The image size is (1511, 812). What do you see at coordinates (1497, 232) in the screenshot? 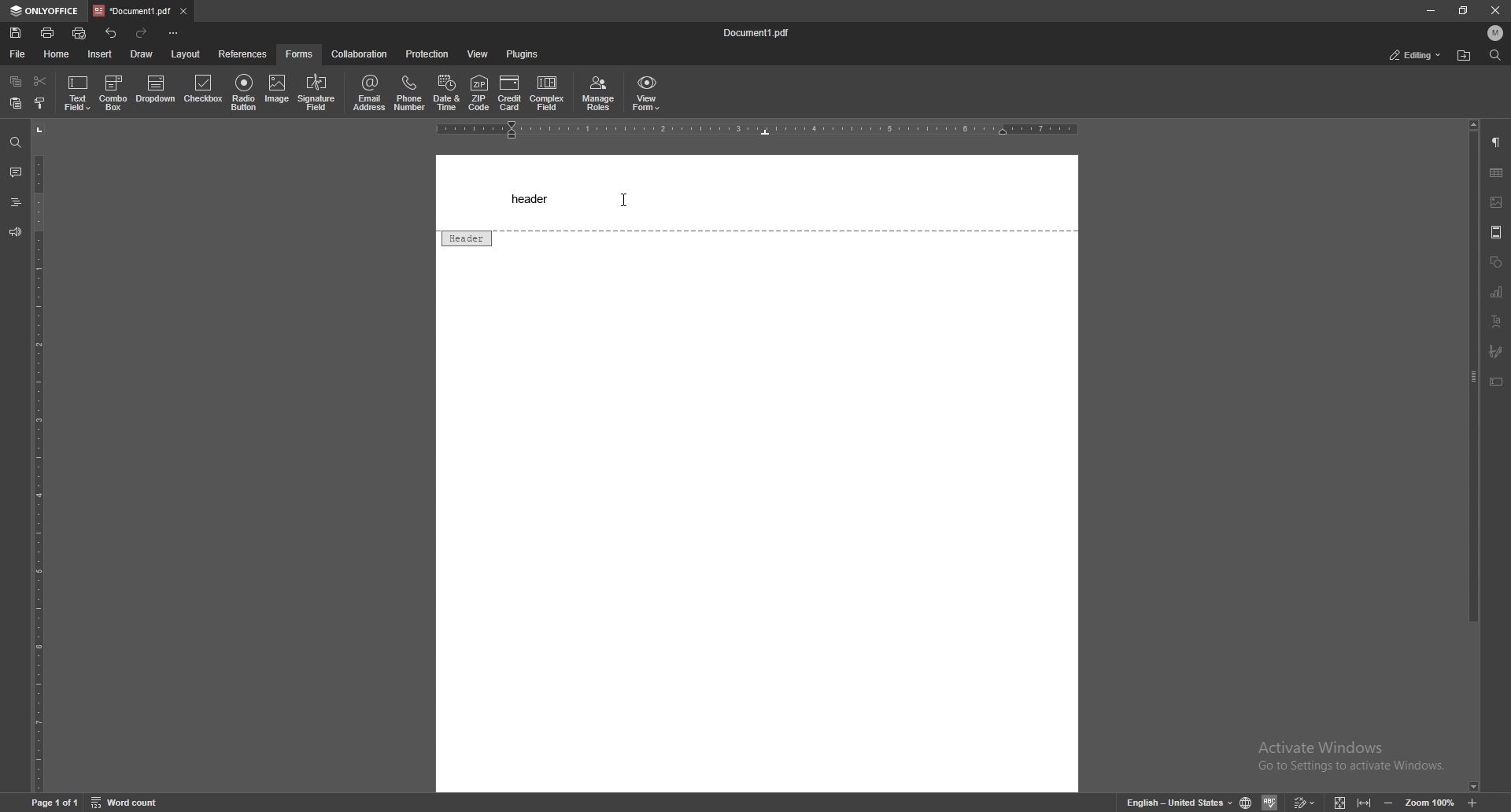
I see `header/footer` at bounding box center [1497, 232].